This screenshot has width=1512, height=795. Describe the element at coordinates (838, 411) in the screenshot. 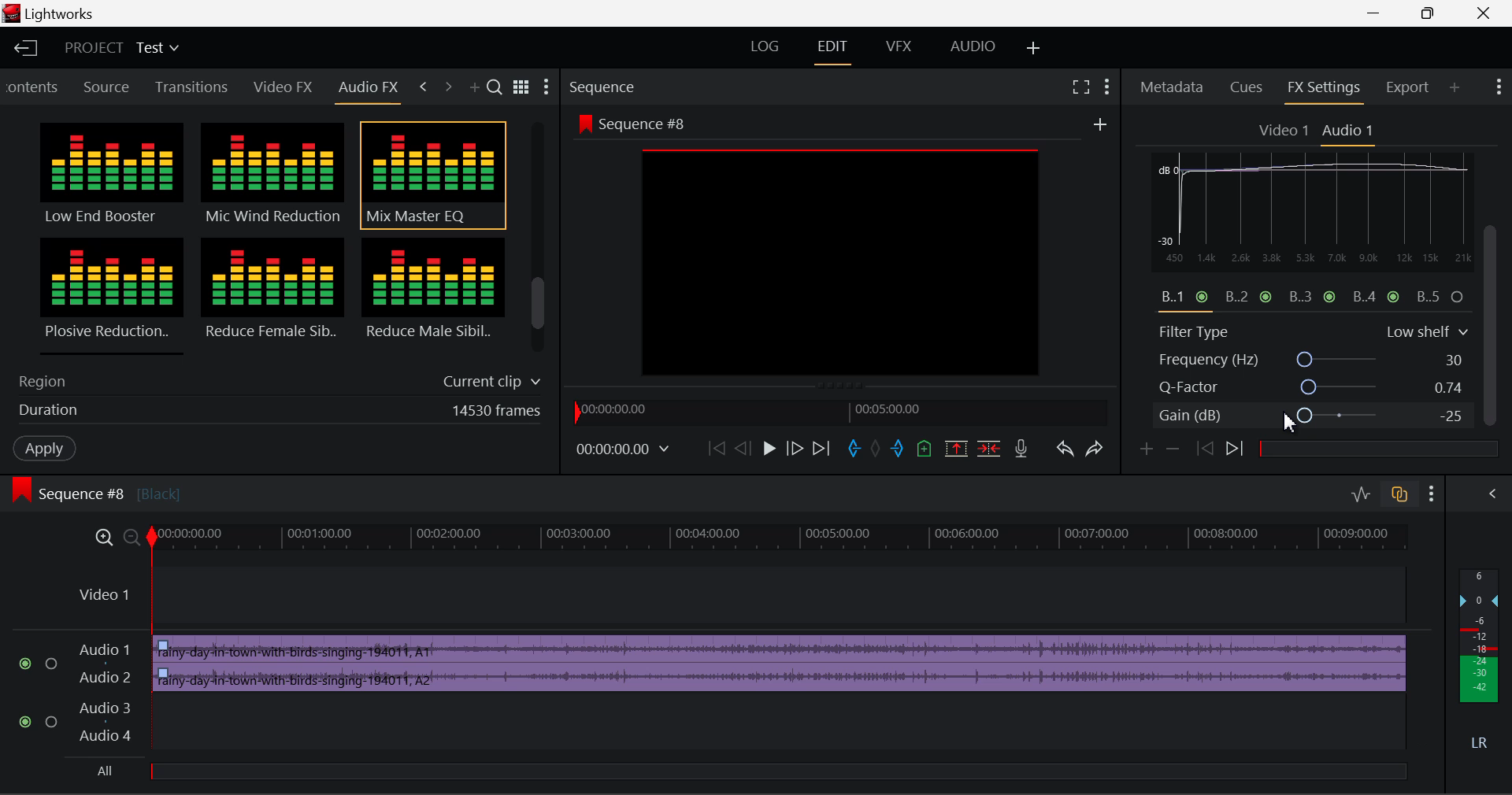

I see `Project Timeline Navigator` at that location.